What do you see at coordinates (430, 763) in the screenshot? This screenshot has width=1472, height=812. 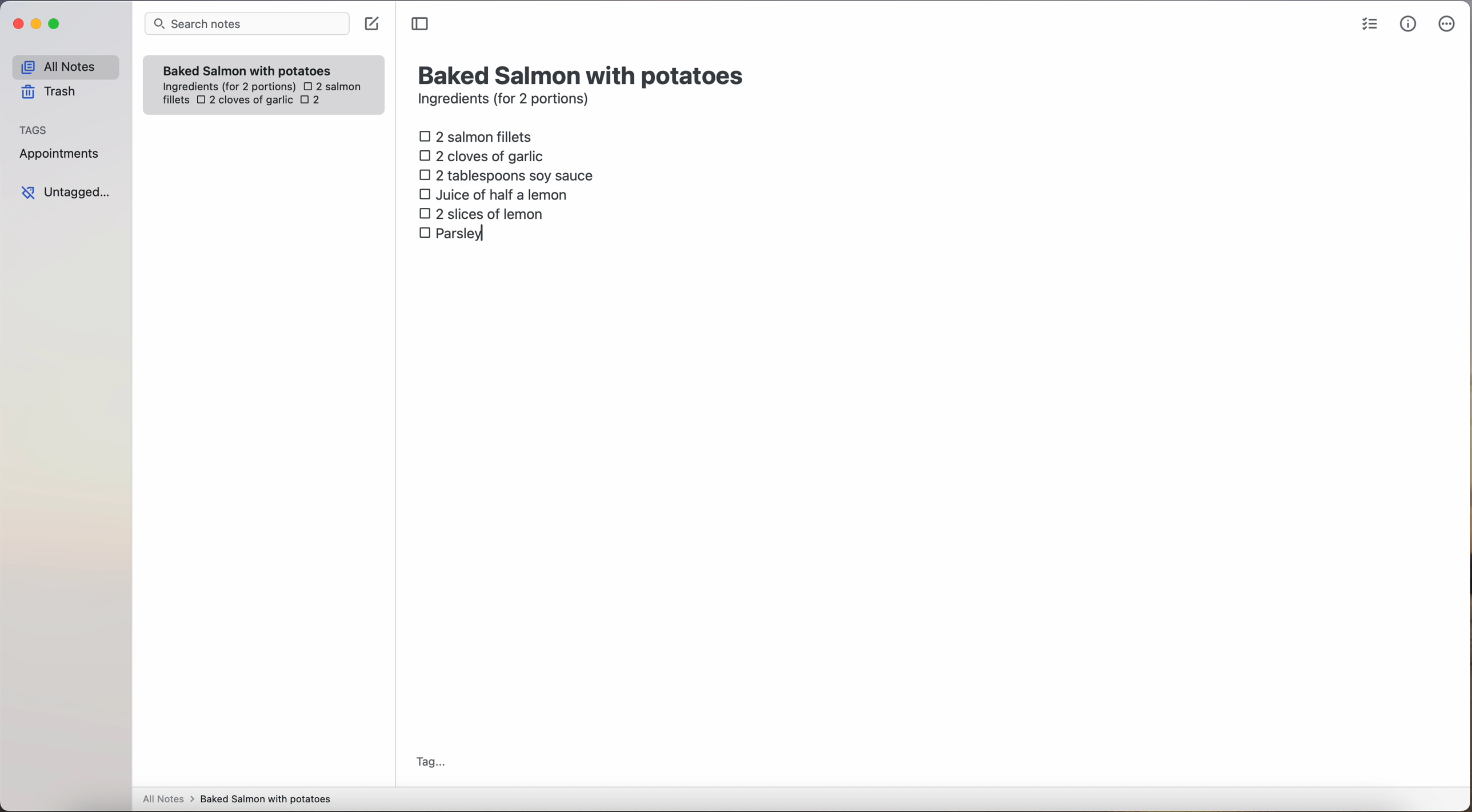 I see `tag` at bounding box center [430, 763].